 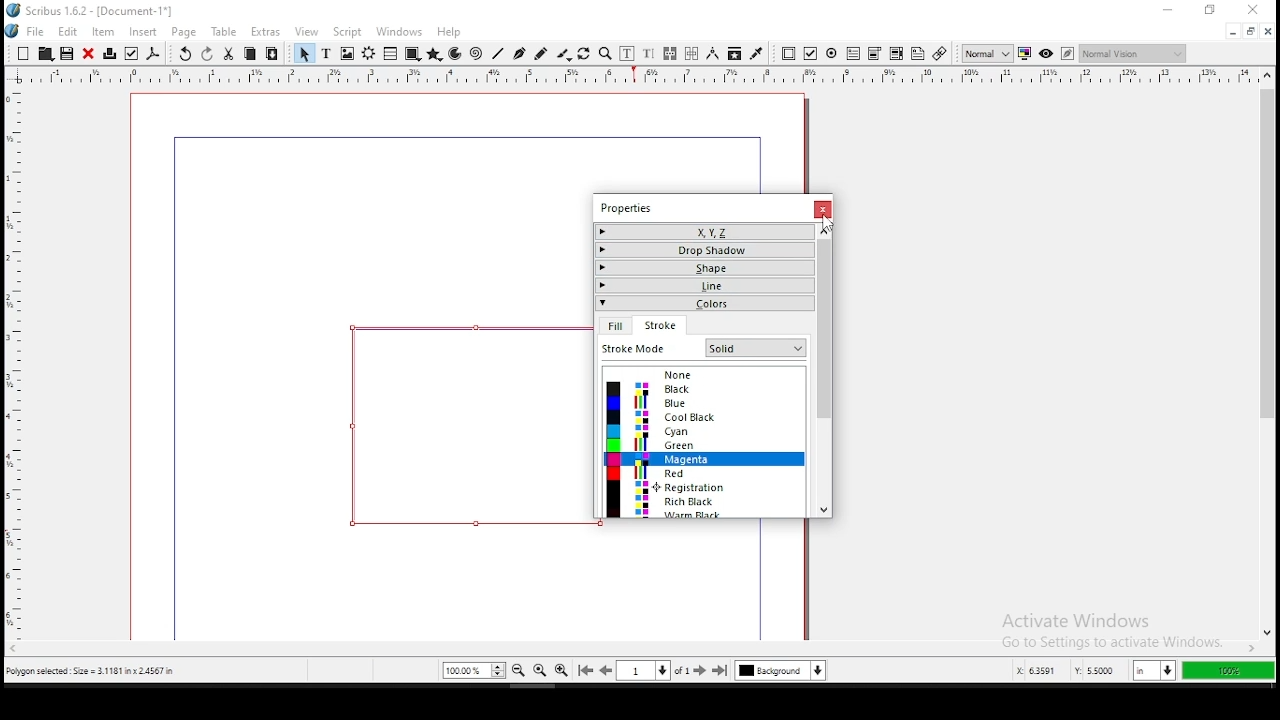 I want to click on polygon selected size= 3.1181 inch x 2.4567 in, so click(x=94, y=673).